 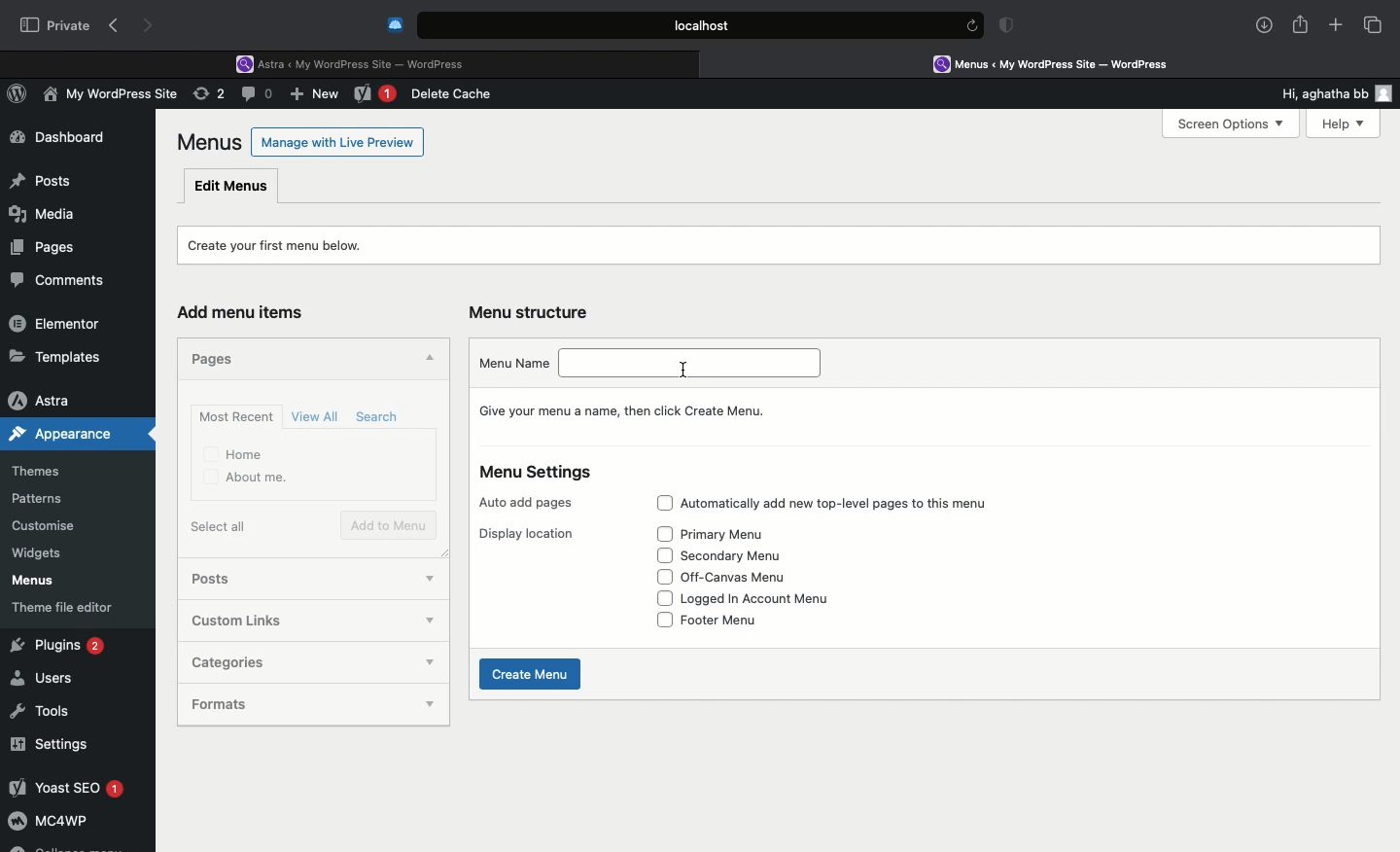 What do you see at coordinates (56, 356) in the screenshot?
I see `Templates` at bounding box center [56, 356].